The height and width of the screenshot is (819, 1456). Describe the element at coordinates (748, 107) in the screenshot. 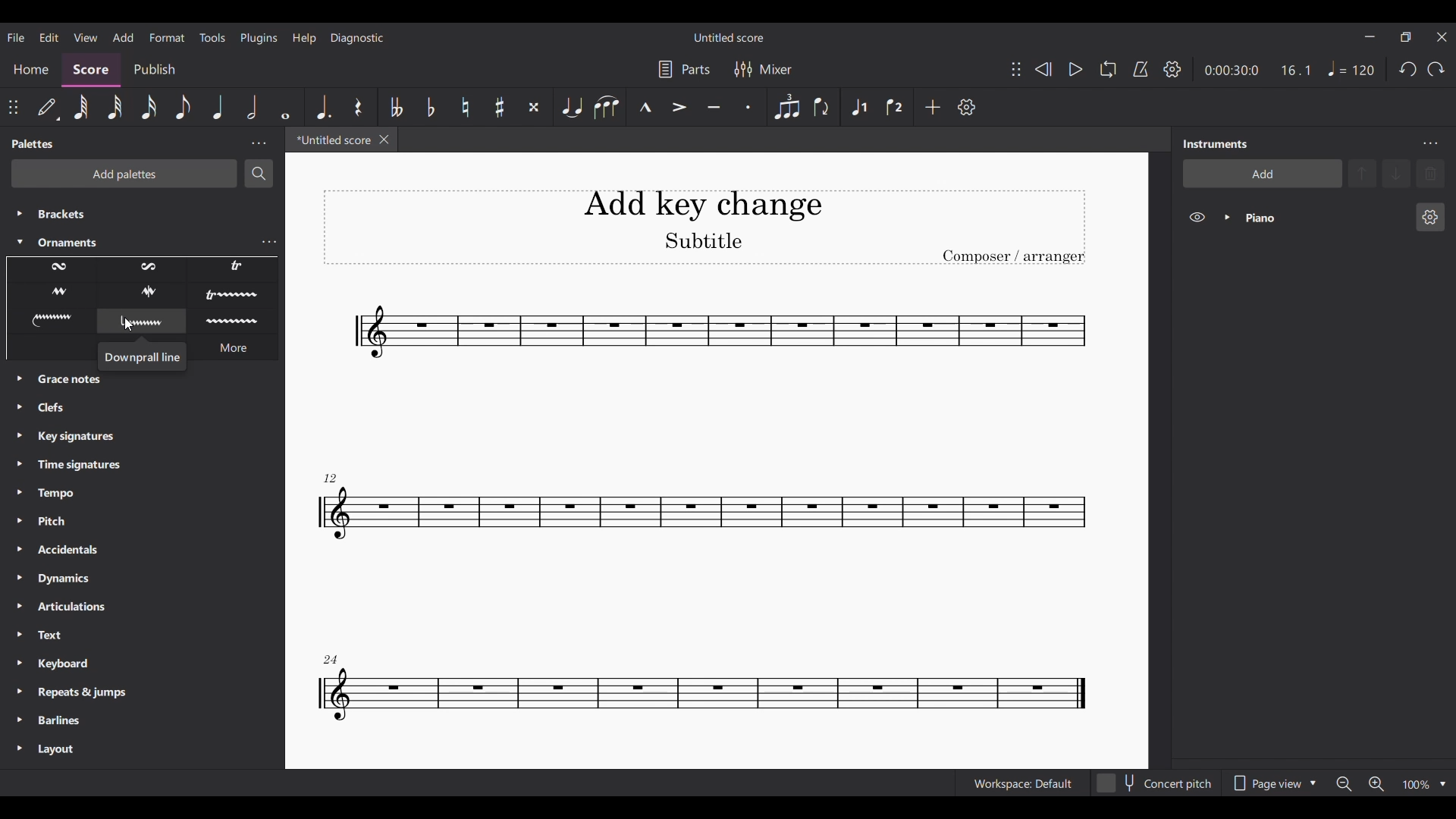

I see `Staccato` at that location.